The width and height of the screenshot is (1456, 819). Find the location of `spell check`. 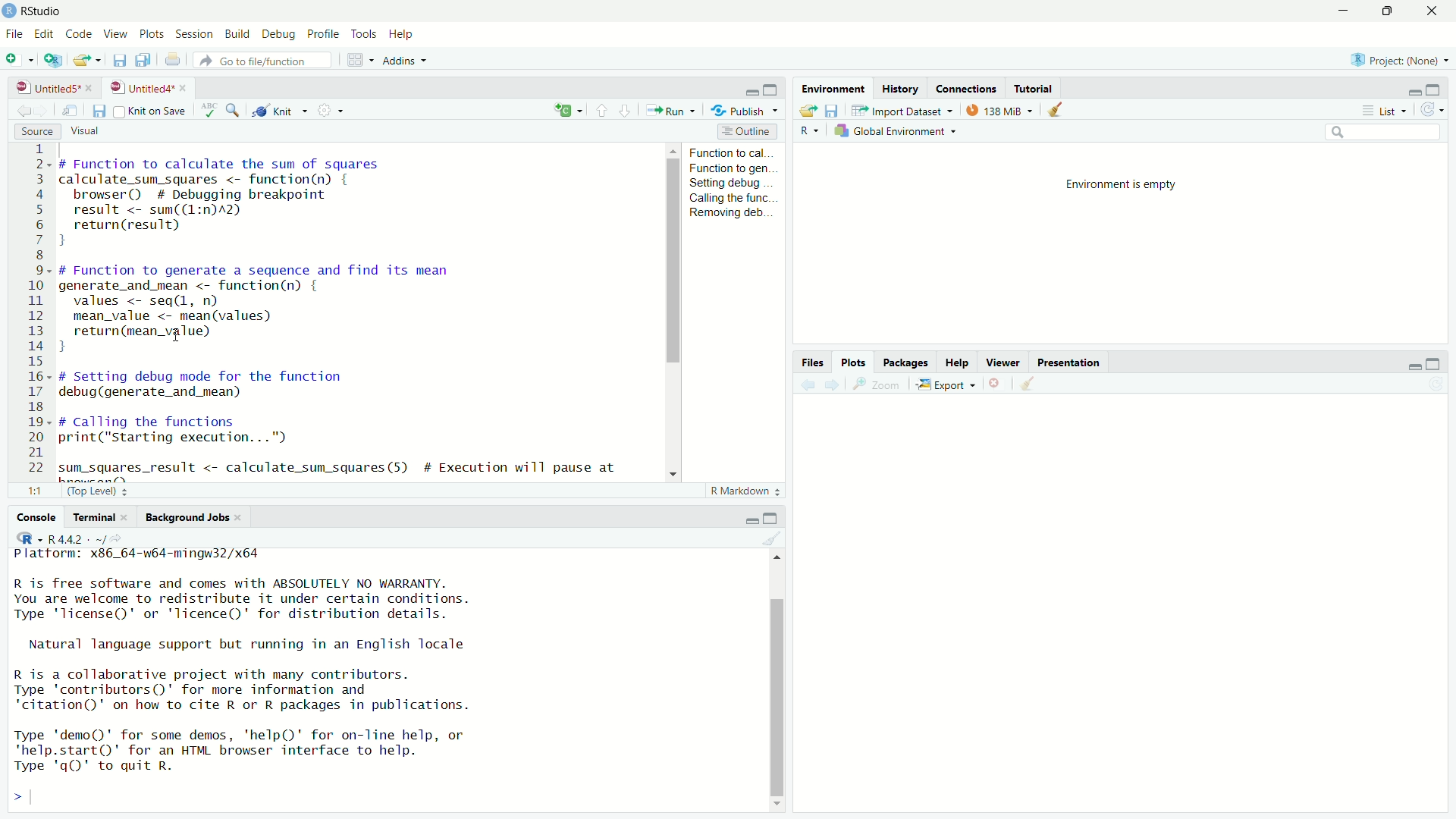

spell check is located at coordinates (206, 111).